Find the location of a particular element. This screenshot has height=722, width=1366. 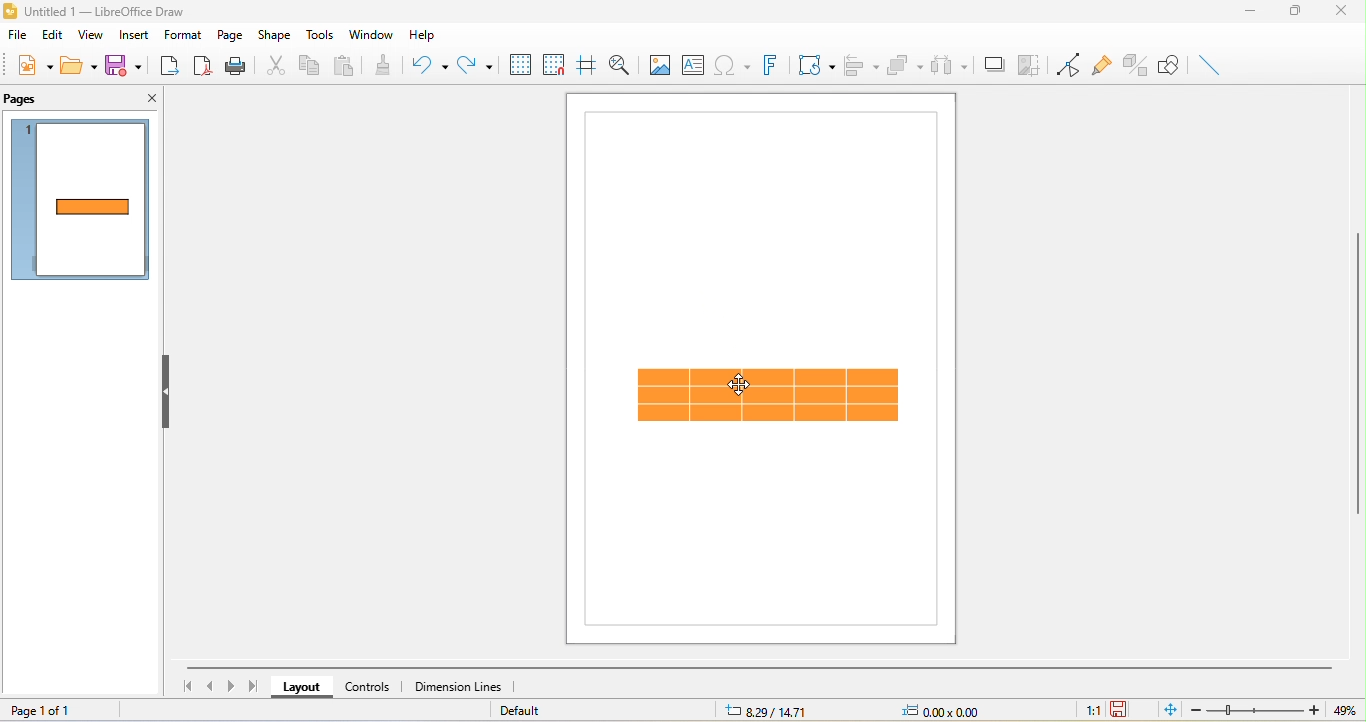

insert line is located at coordinates (1209, 64).